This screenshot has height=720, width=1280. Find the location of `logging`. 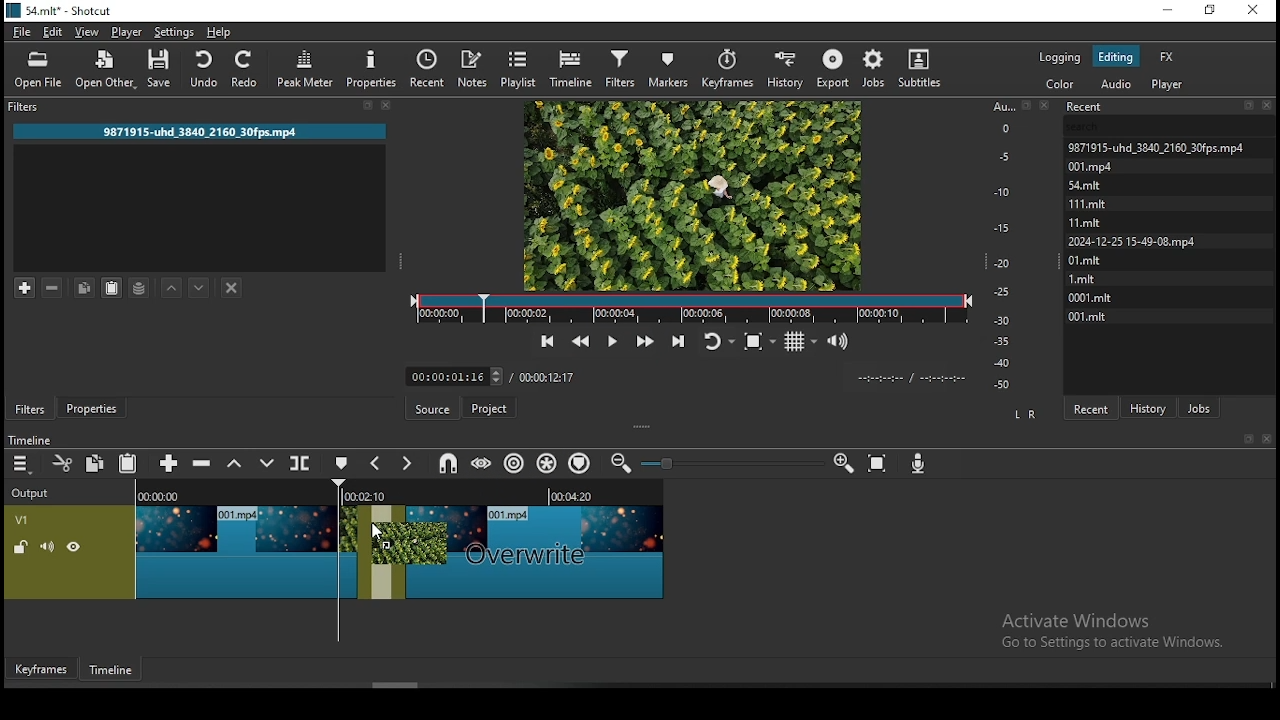

logging is located at coordinates (1059, 57).